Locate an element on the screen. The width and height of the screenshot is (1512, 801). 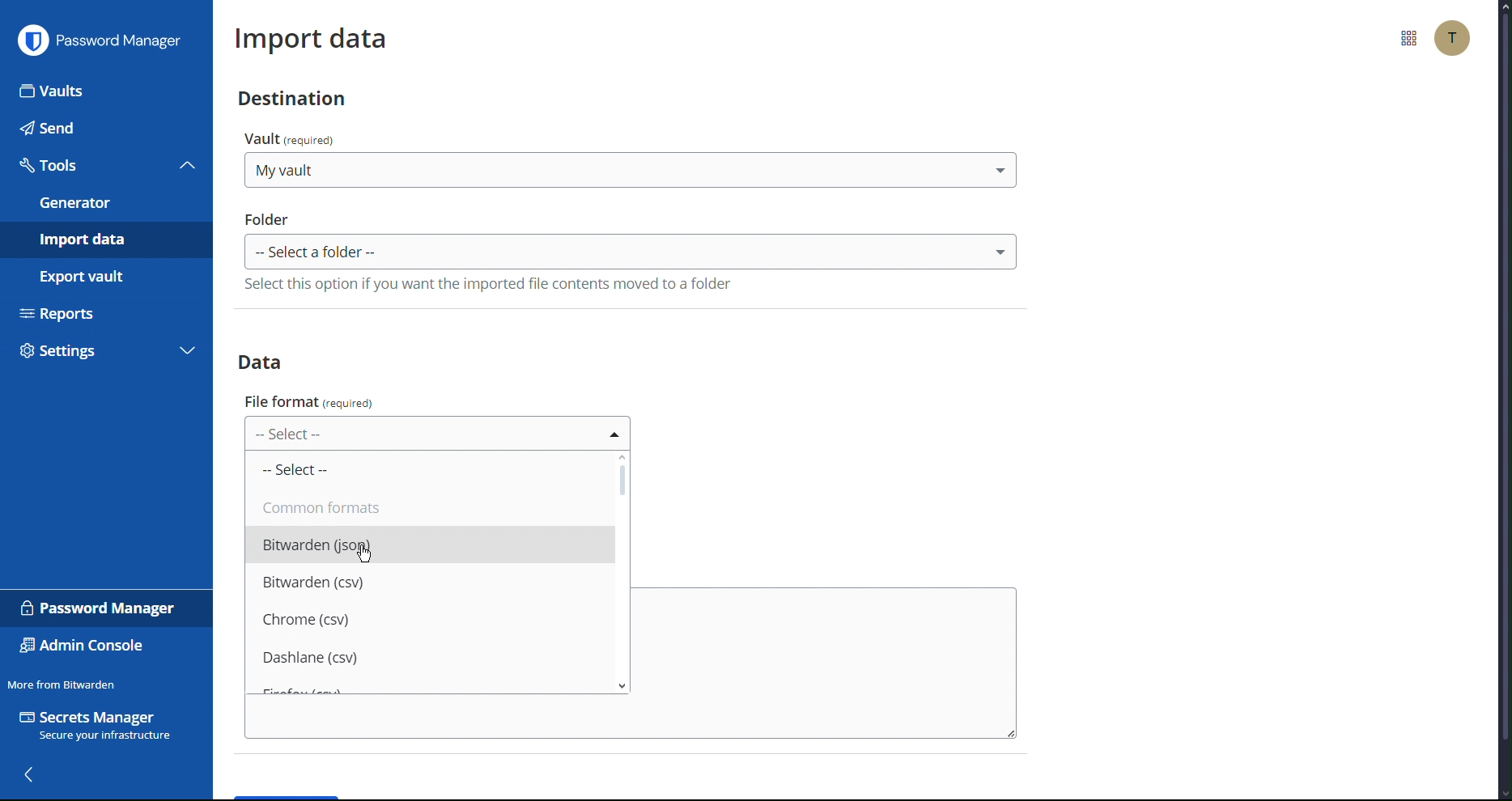
Chrome (csv) is located at coordinates (427, 618).